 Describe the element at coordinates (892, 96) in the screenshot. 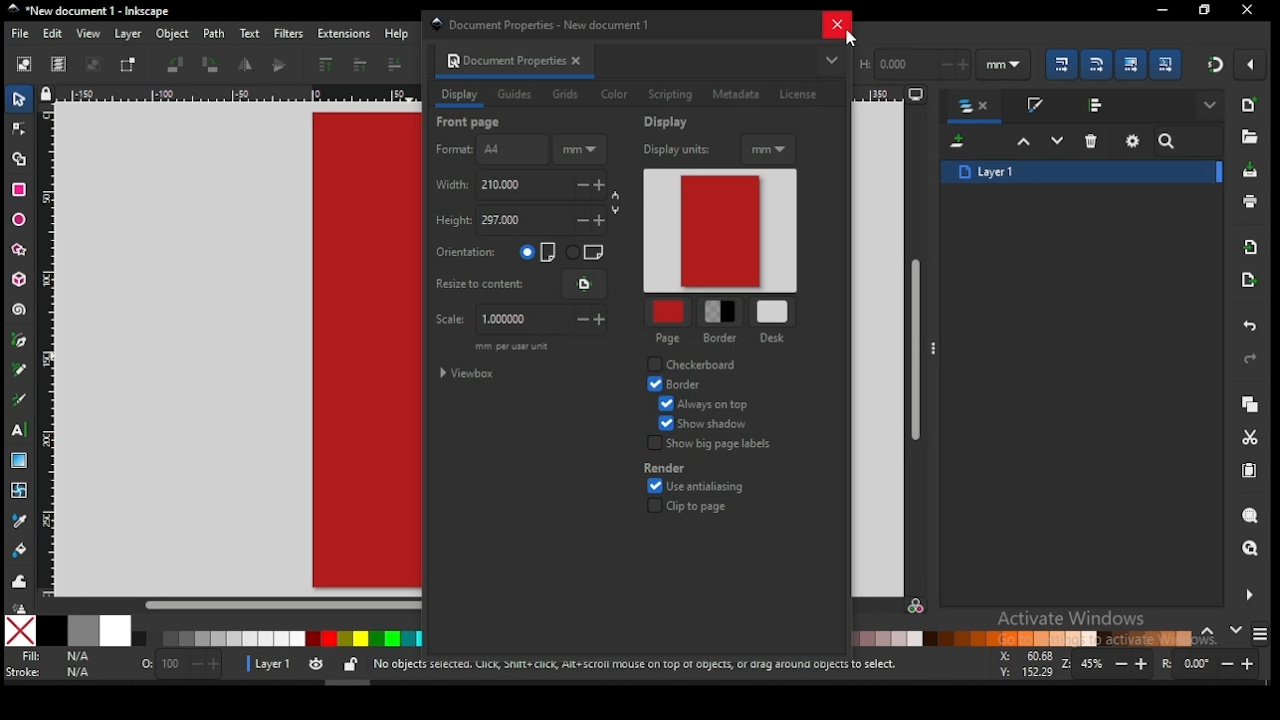

I see `horizontal ruler` at that location.